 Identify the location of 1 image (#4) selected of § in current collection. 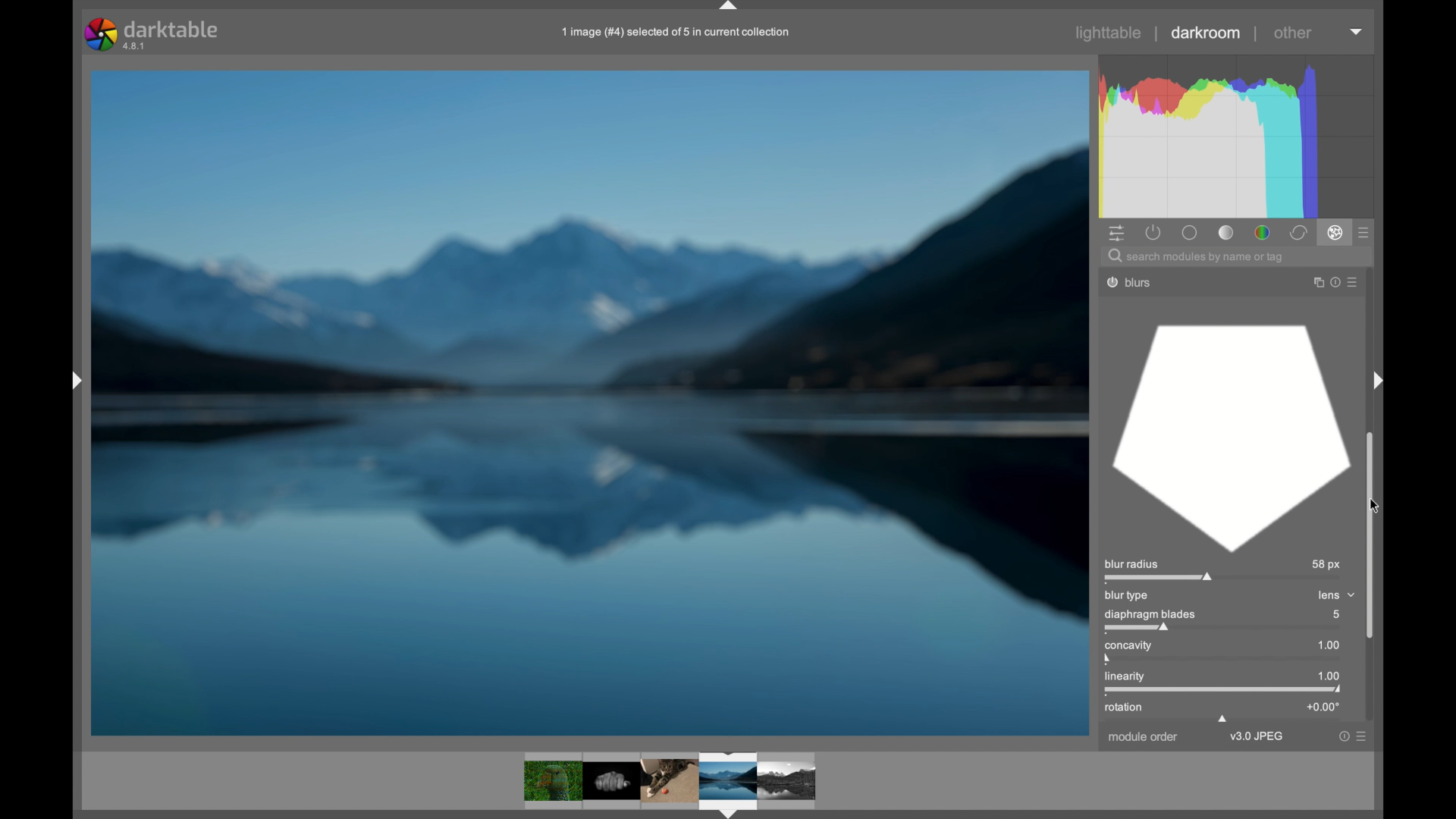
(675, 32).